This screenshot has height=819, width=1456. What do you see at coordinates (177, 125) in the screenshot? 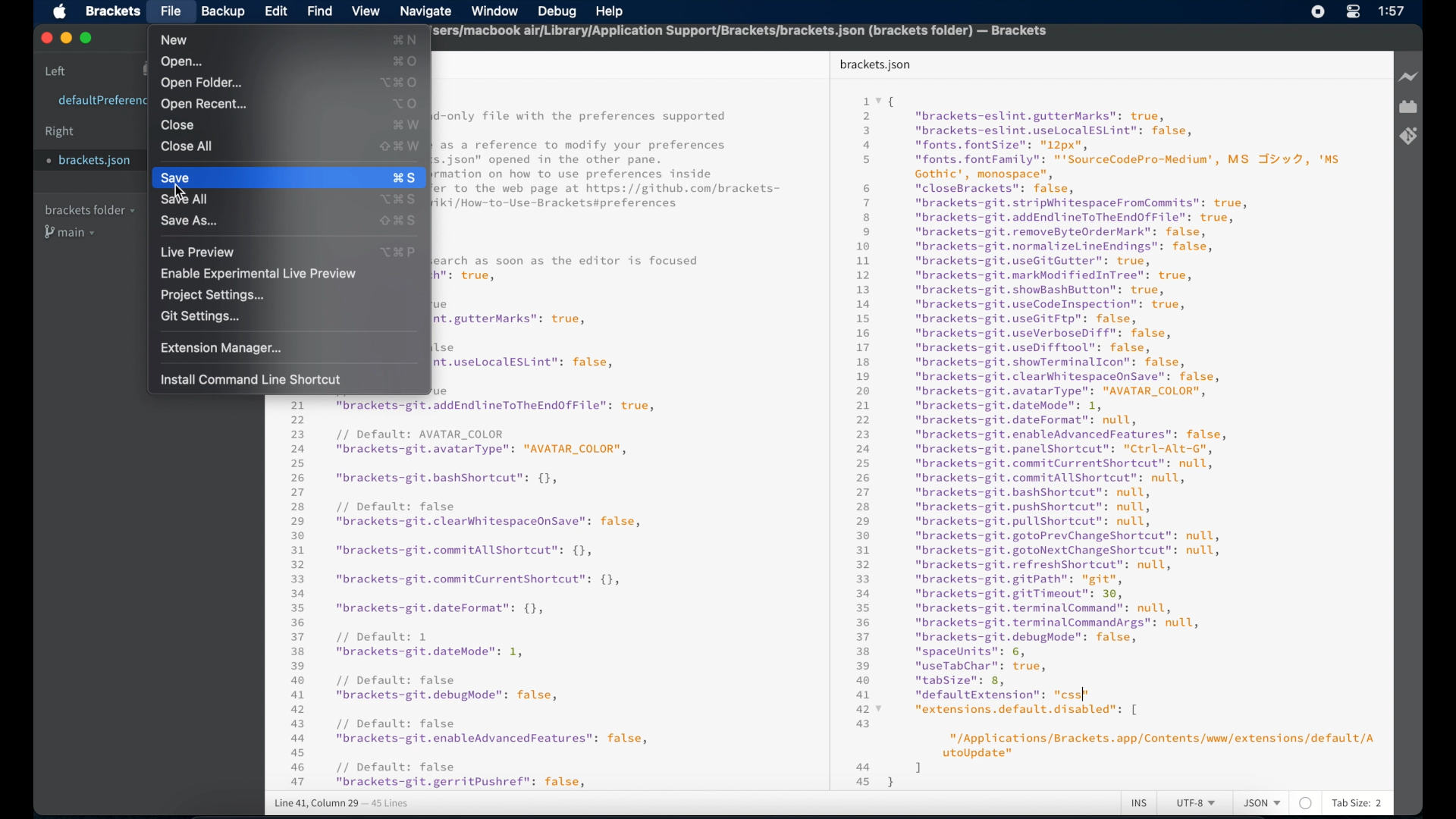
I see `close` at bounding box center [177, 125].